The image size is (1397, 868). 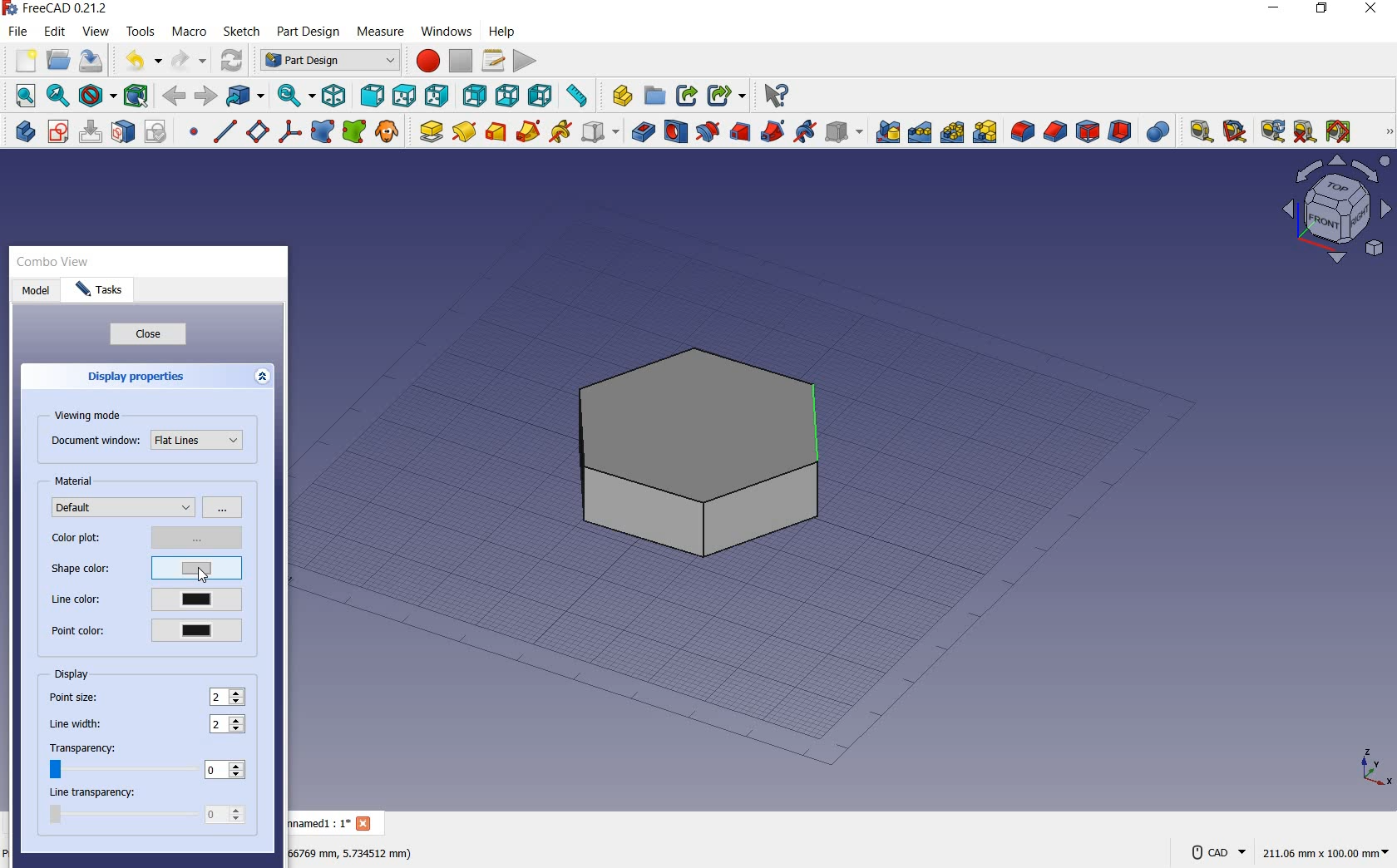 What do you see at coordinates (123, 506) in the screenshot?
I see `default` at bounding box center [123, 506].